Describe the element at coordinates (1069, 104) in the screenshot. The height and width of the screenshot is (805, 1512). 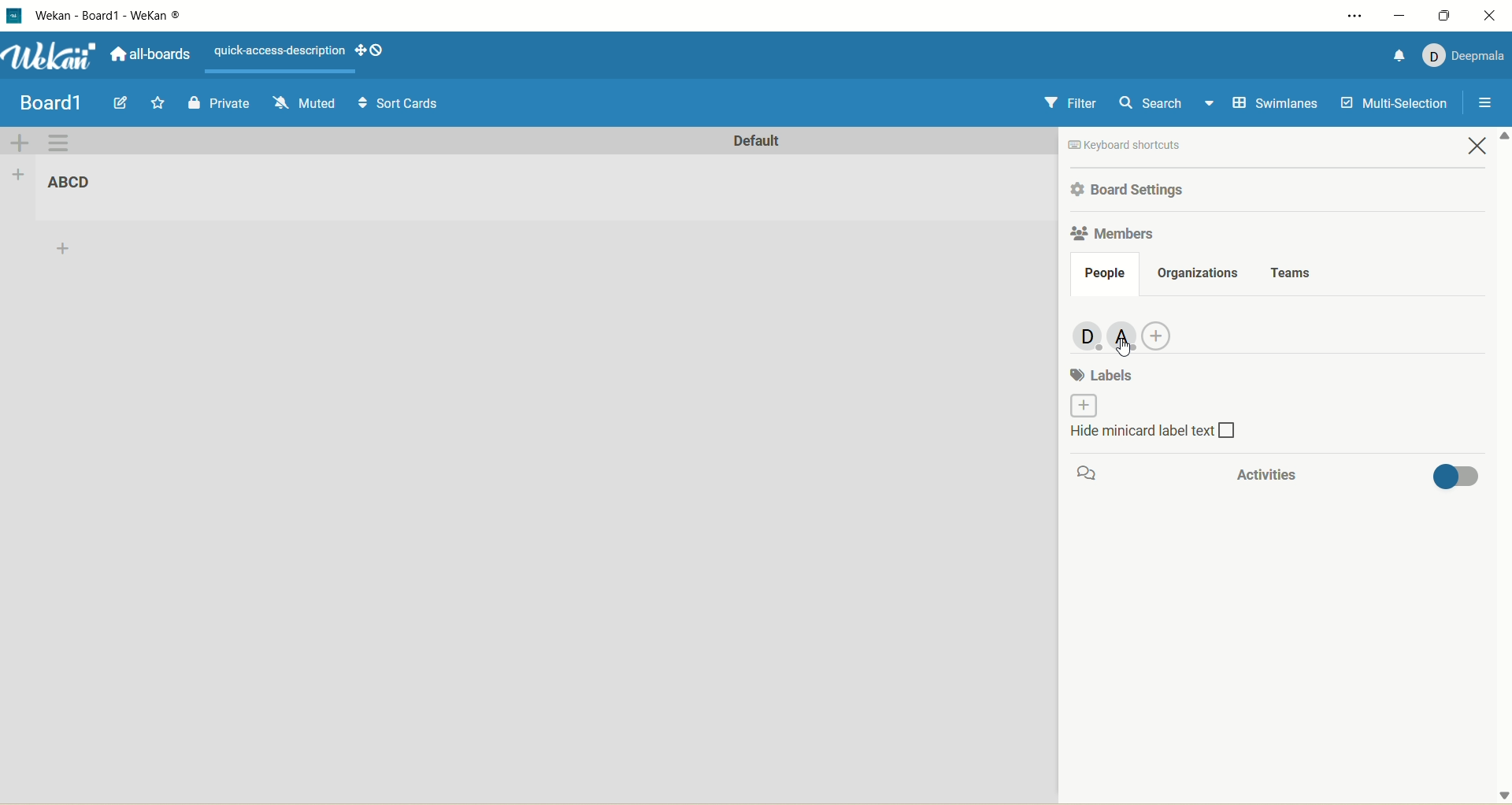
I see `filter` at that location.